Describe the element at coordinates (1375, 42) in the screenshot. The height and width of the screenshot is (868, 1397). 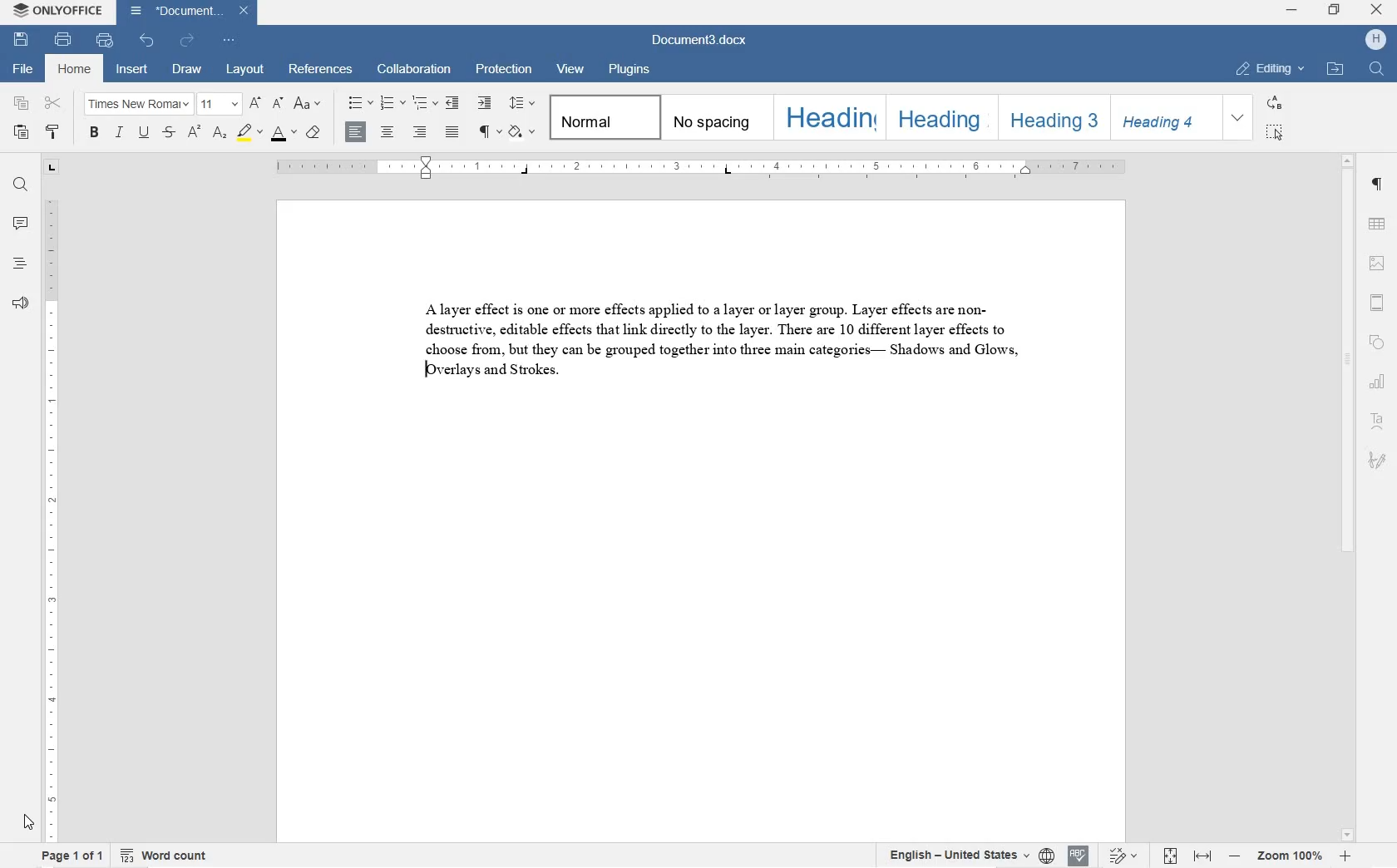
I see `HP` at that location.